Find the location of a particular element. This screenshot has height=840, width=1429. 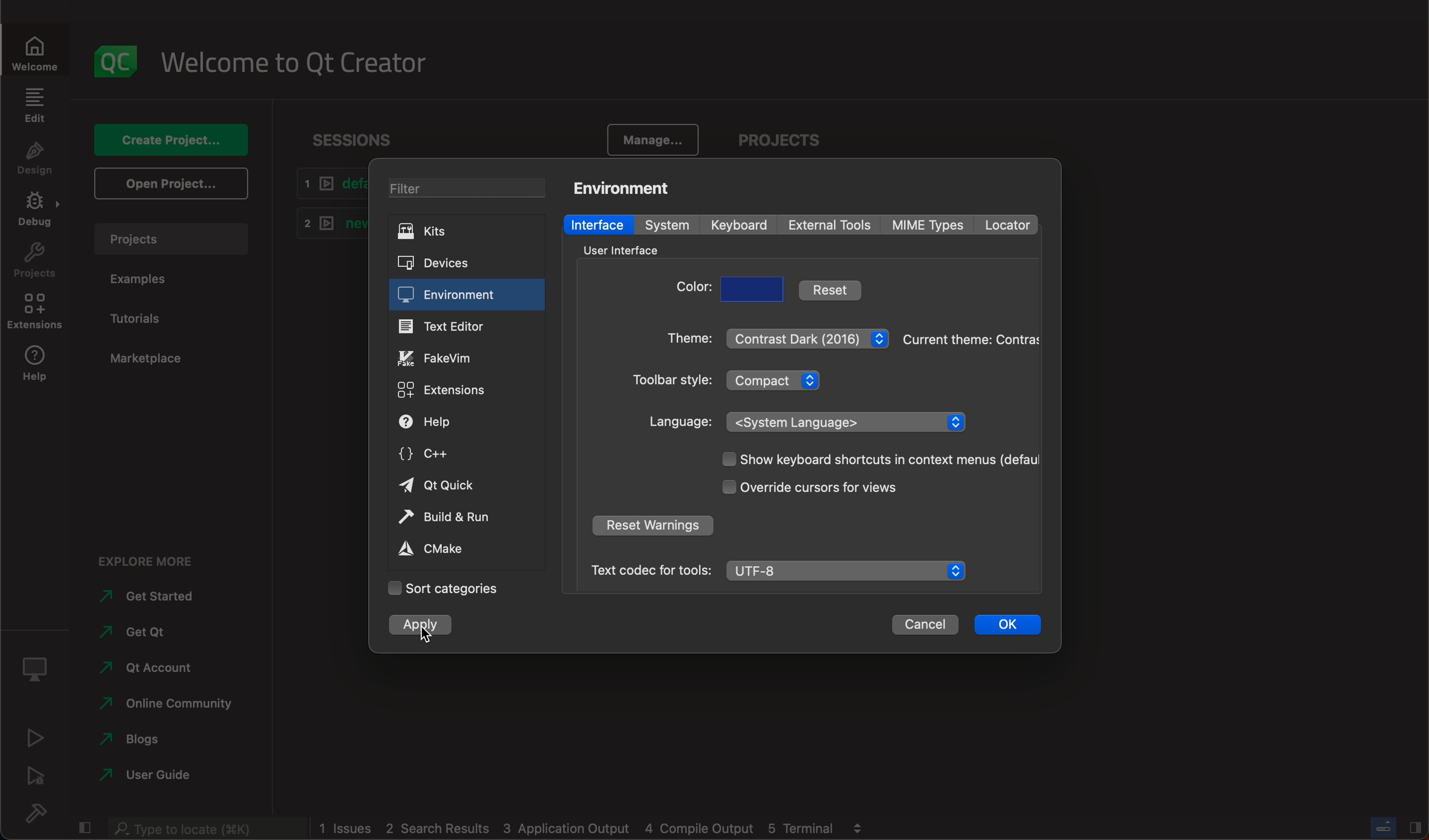

Design is located at coordinates (34, 160).